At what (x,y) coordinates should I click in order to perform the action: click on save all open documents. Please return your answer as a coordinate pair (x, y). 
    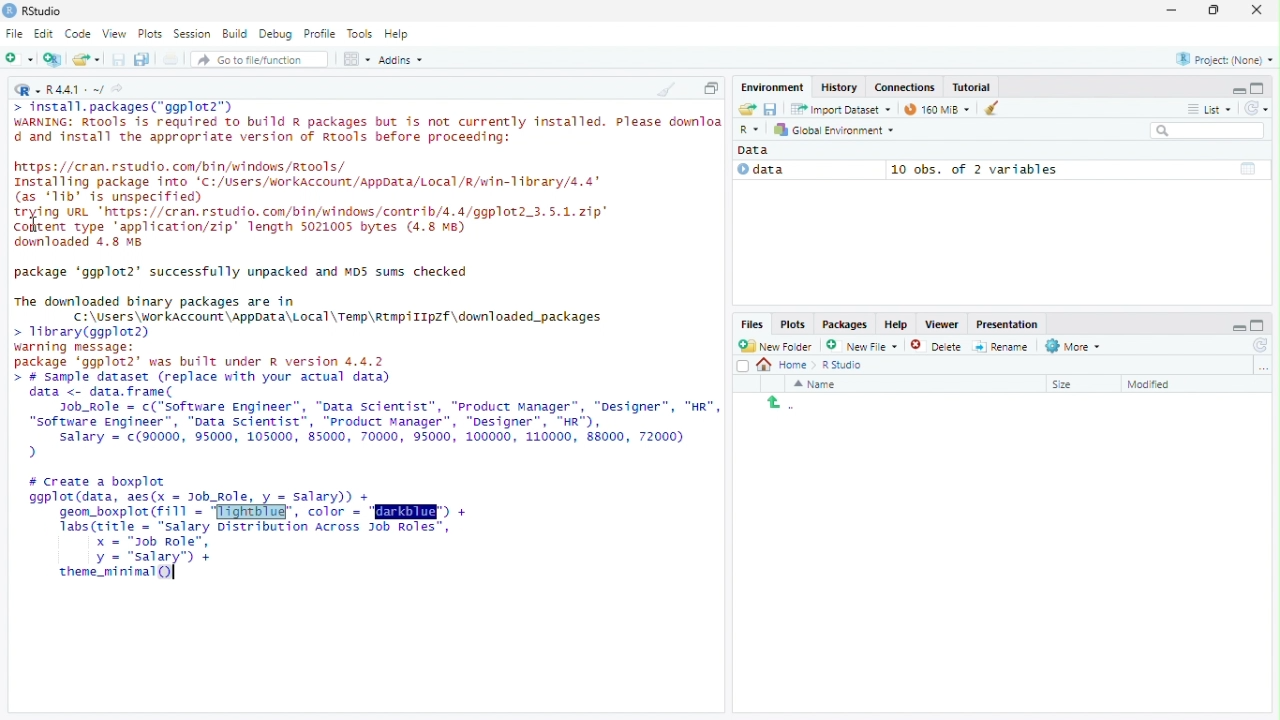
    Looking at the image, I should click on (143, 59).